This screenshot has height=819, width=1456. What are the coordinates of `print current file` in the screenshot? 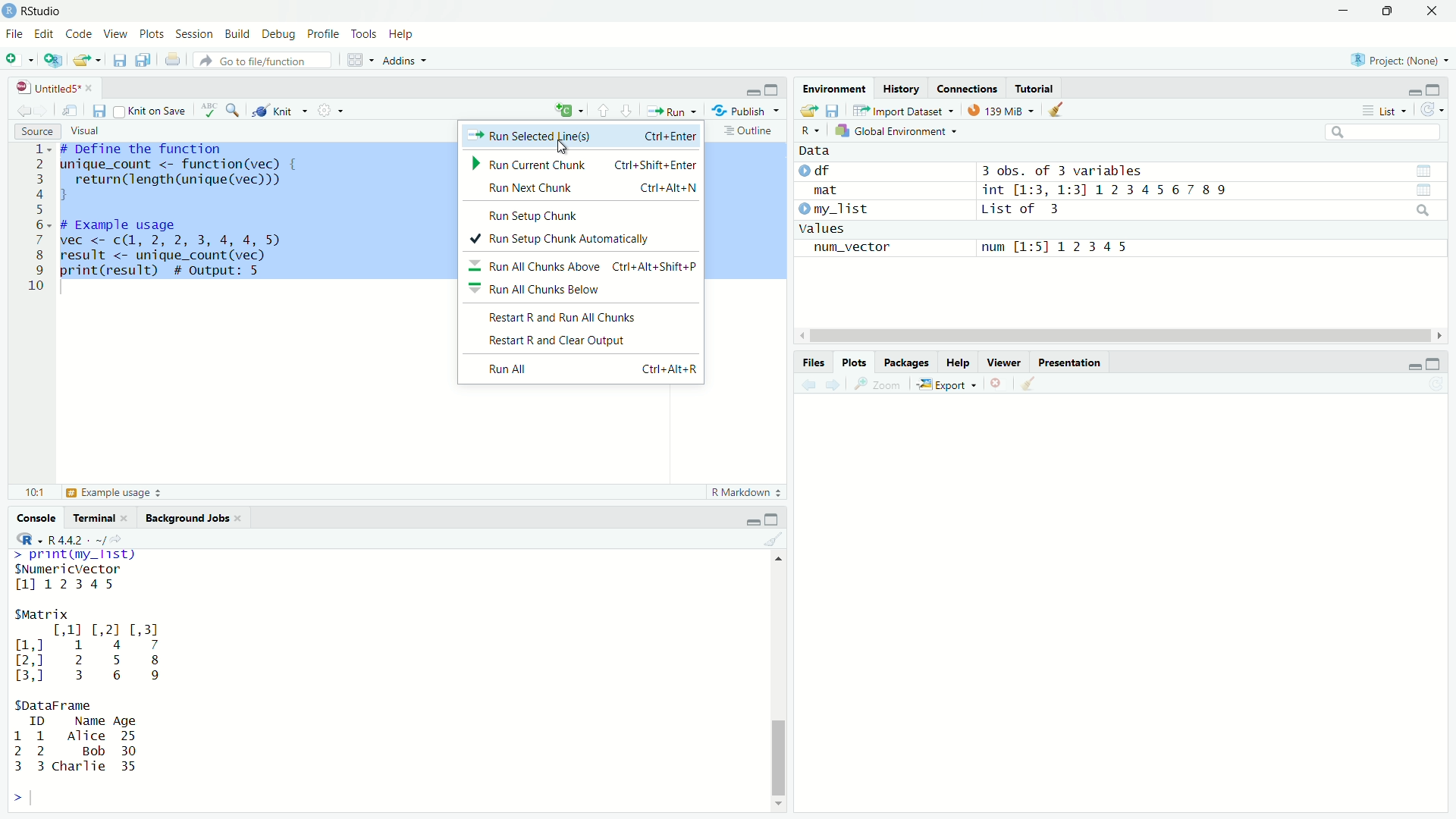 It's located at (172, 61).